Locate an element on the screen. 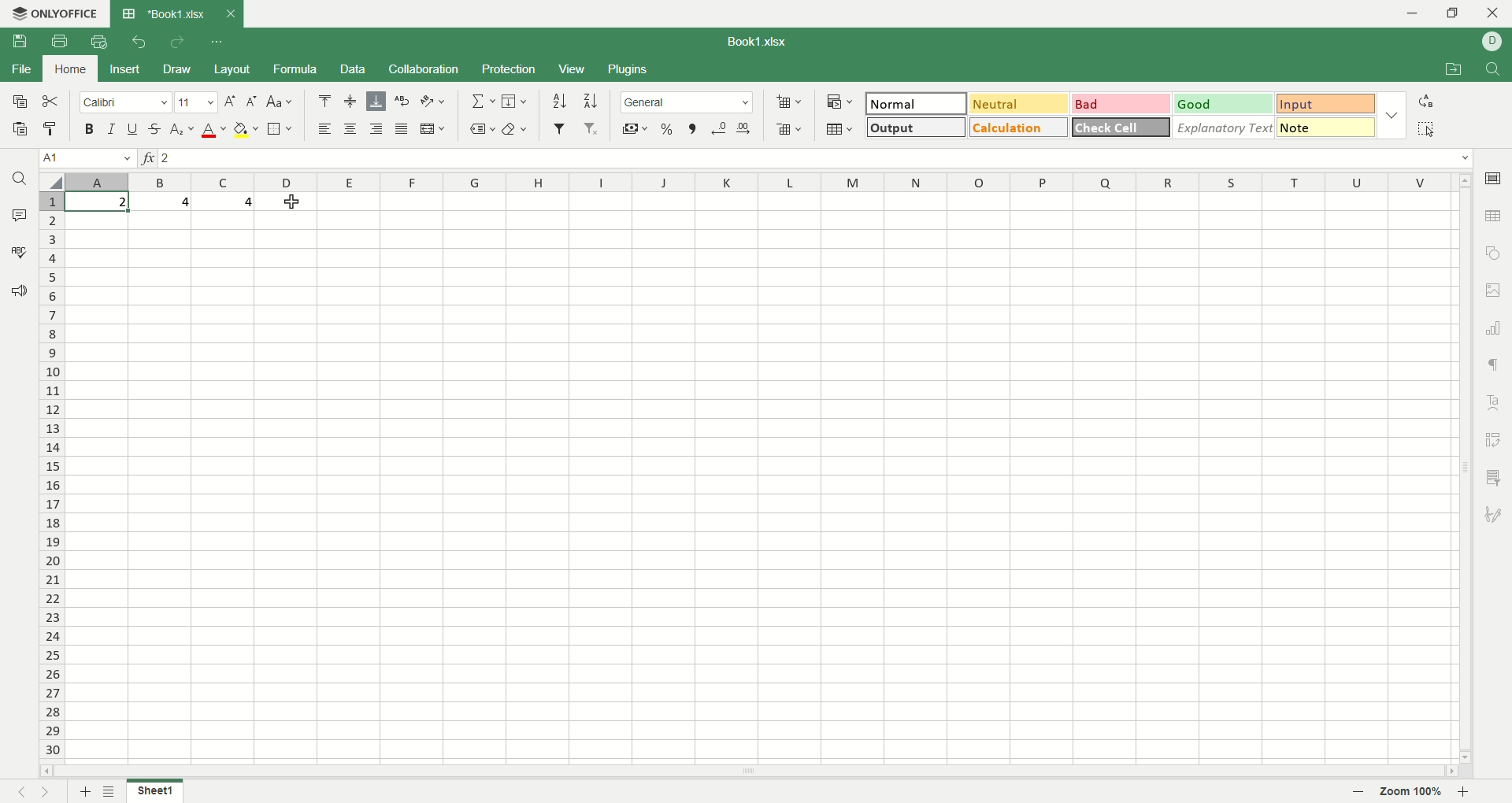 This screenshot has height=803, width=1512. output is located at coordinates (917, 128).